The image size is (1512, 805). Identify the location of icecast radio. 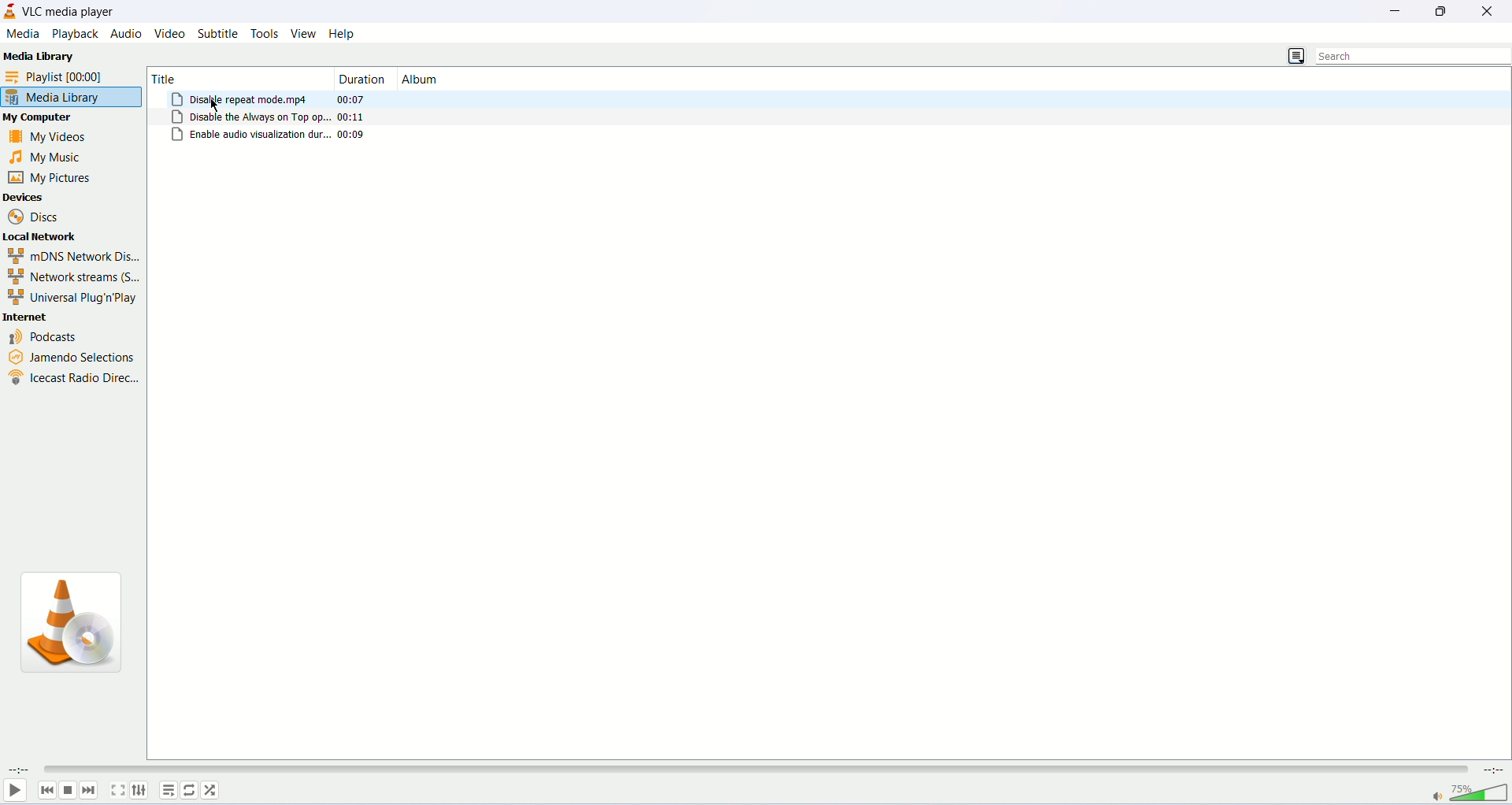
(72, 377).